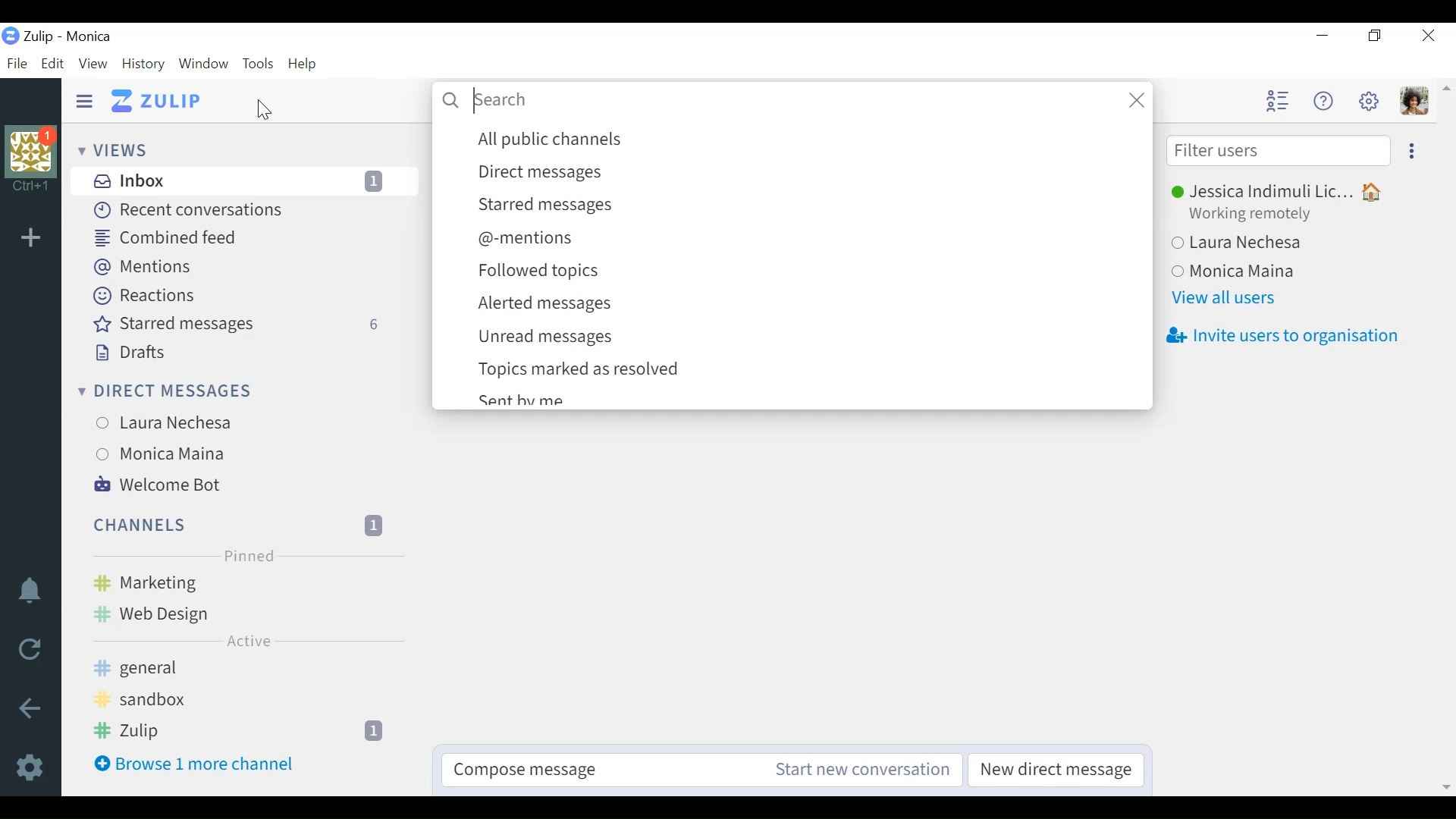  I want to click on Window, so click(206, 63).